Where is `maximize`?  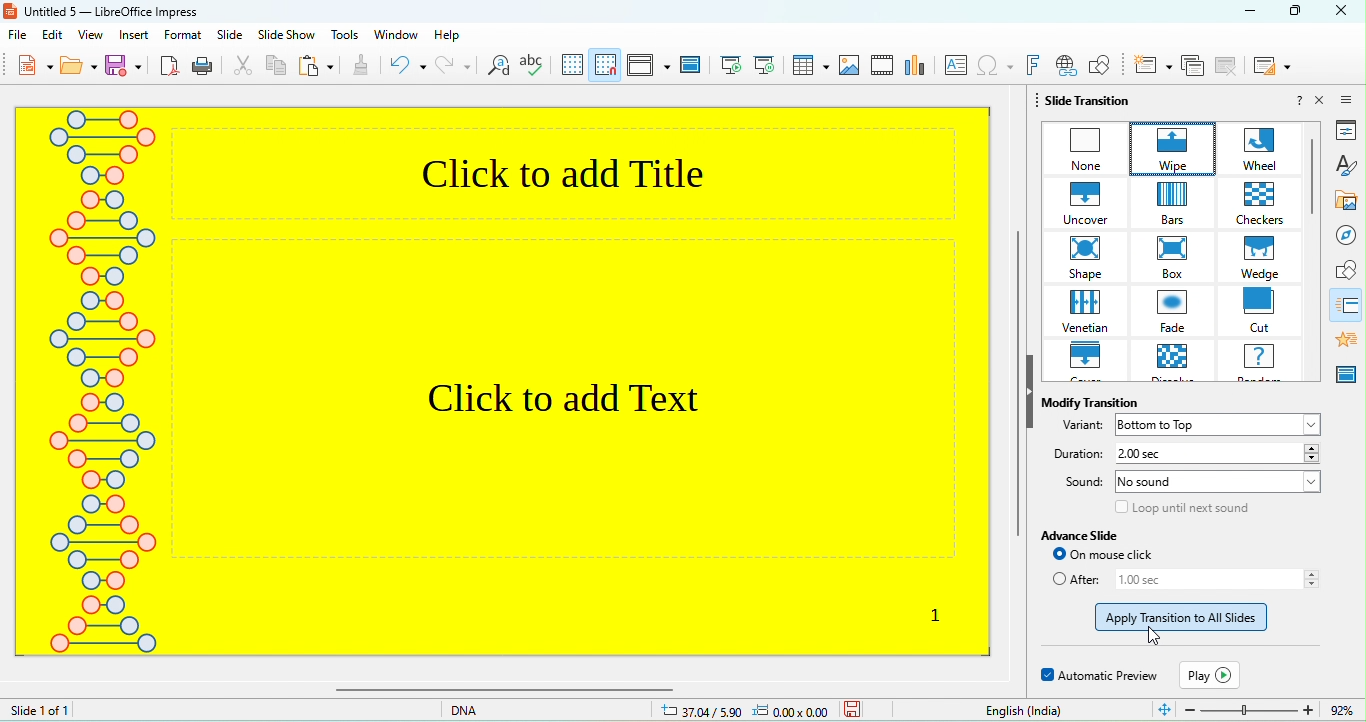
maximize is located at coordinates (1300, 10).